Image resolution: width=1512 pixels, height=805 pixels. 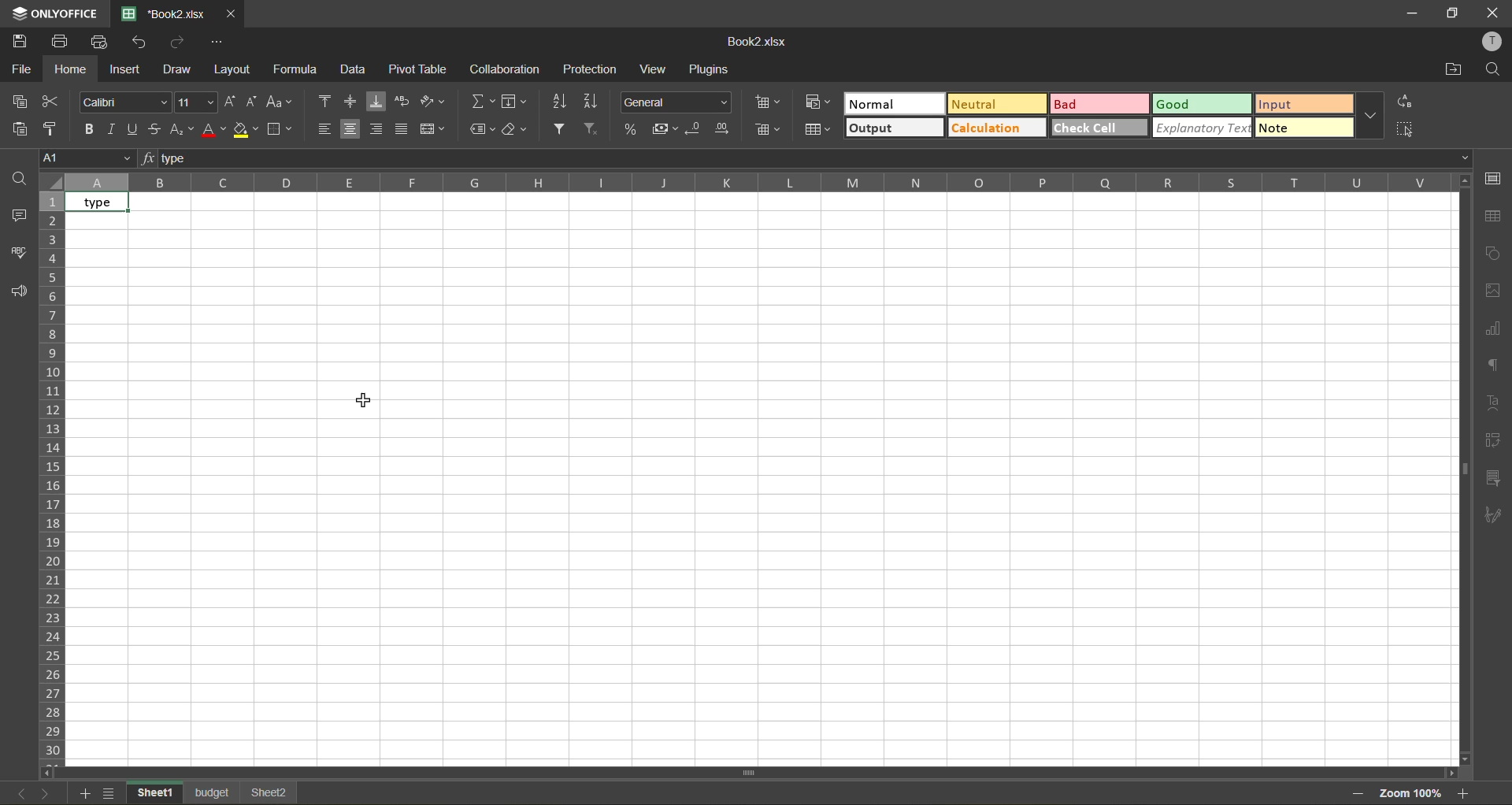 I want to click on Book2.xlsx, so click(x=161, y=13).